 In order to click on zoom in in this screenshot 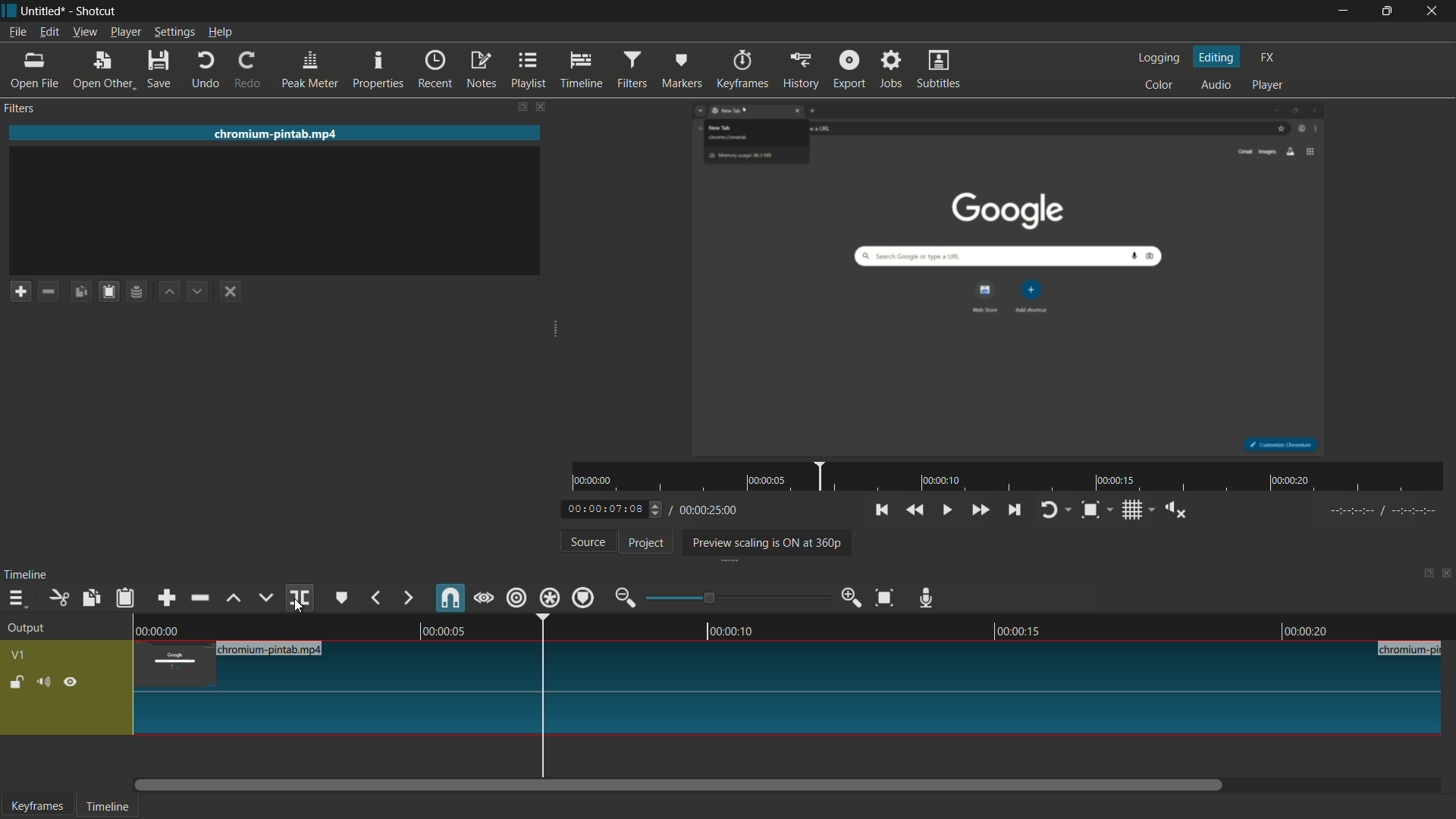, I will do `click(852, 596)`.